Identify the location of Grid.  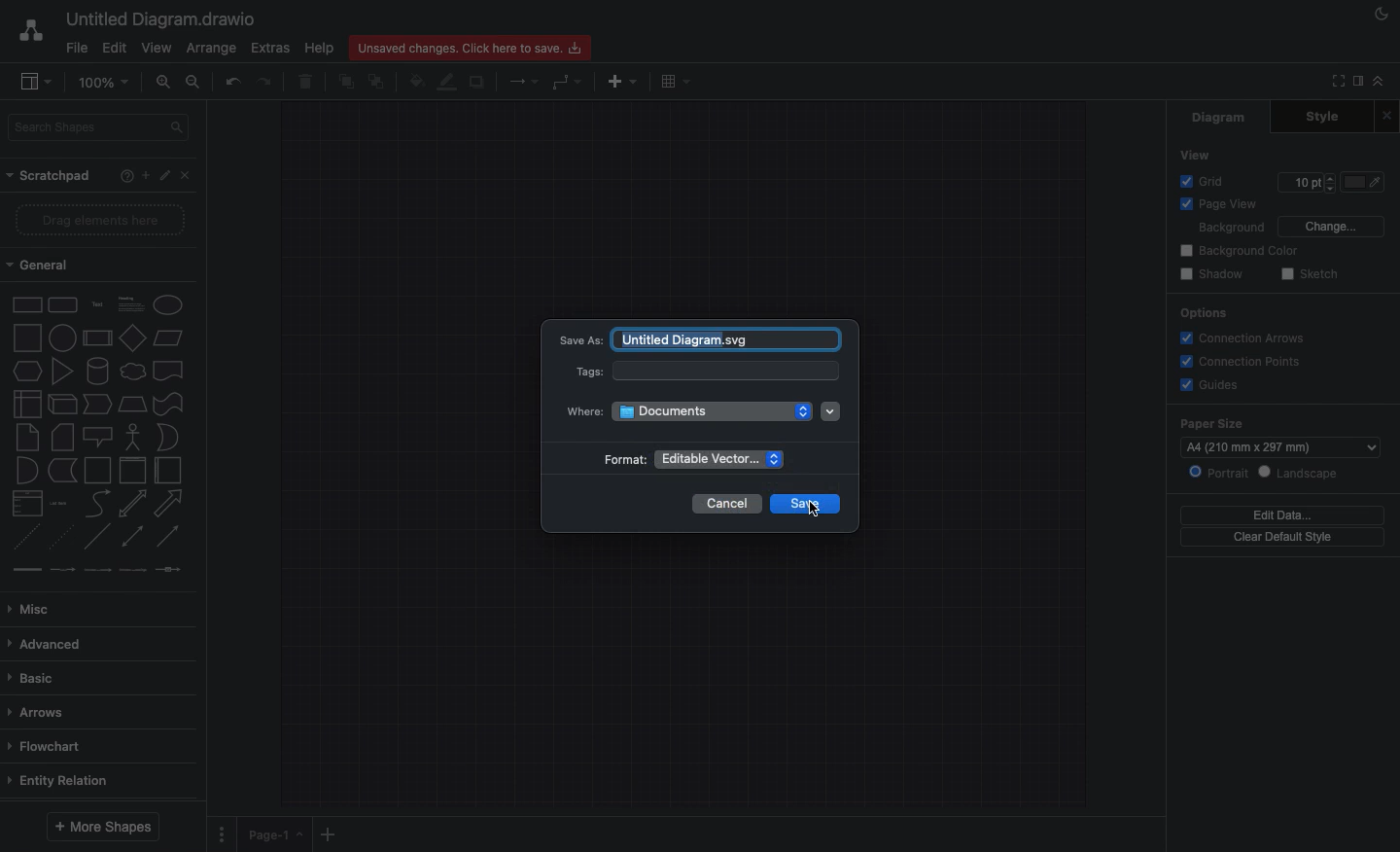
(1205, 182).